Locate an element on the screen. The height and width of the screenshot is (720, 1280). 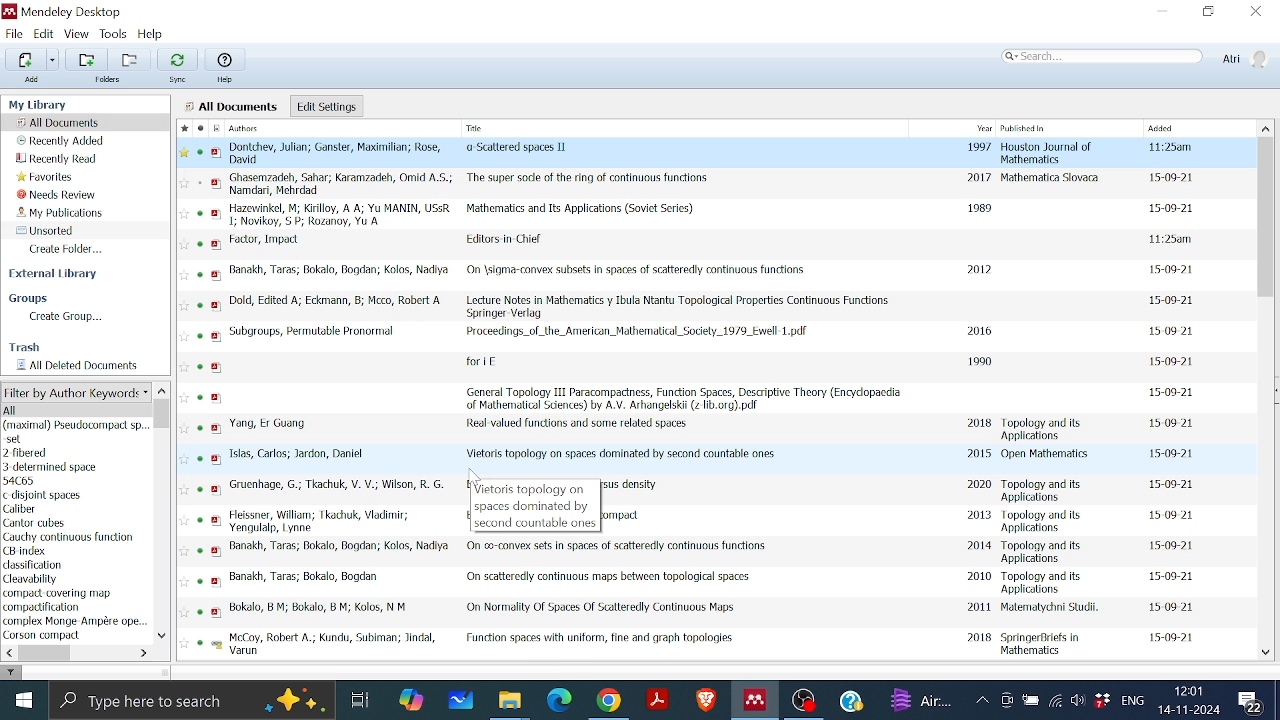
Keyword is located at coordinates (52, 468).